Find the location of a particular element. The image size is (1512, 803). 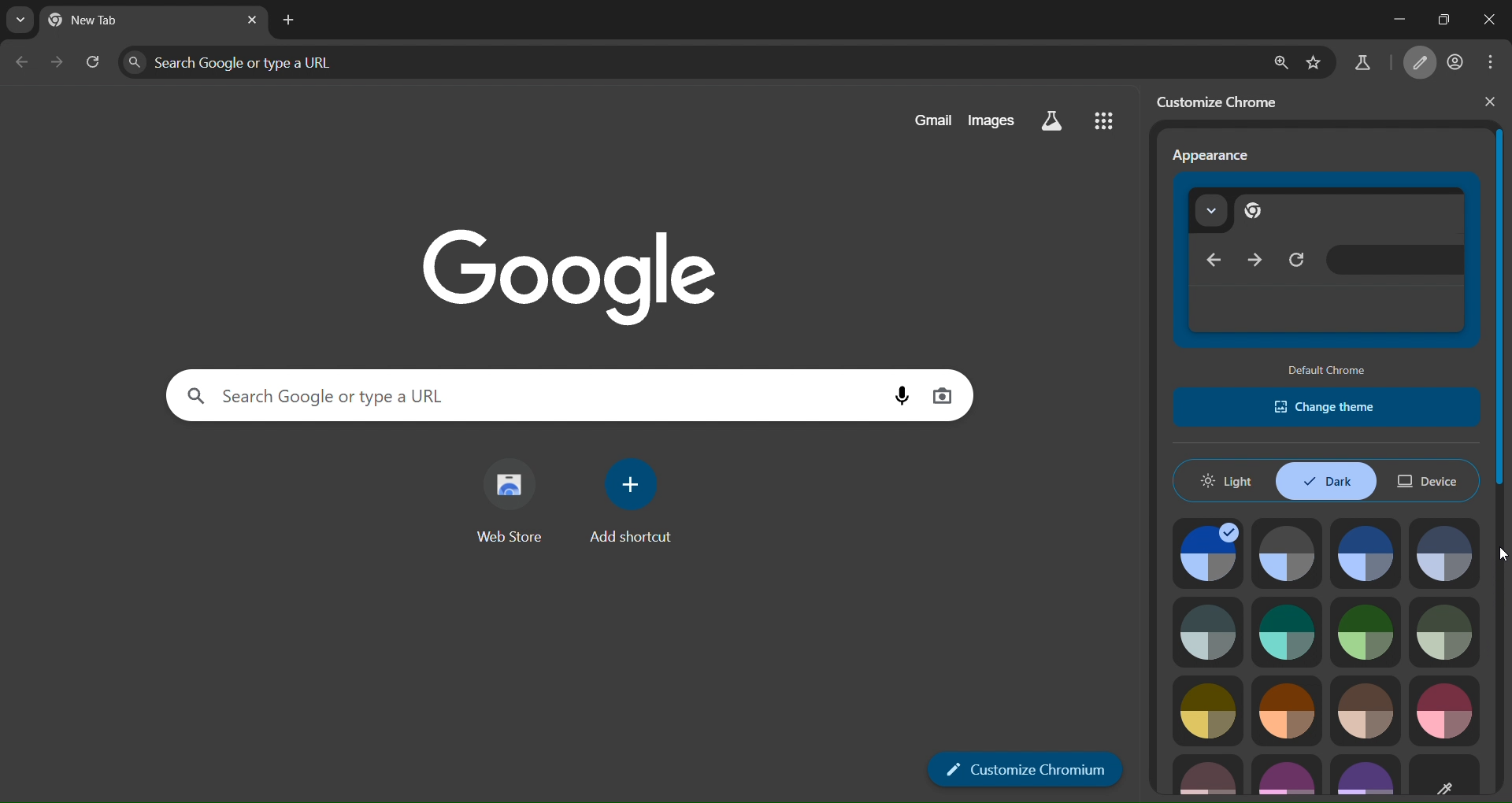

theme is located at coordinates (1284, 711).